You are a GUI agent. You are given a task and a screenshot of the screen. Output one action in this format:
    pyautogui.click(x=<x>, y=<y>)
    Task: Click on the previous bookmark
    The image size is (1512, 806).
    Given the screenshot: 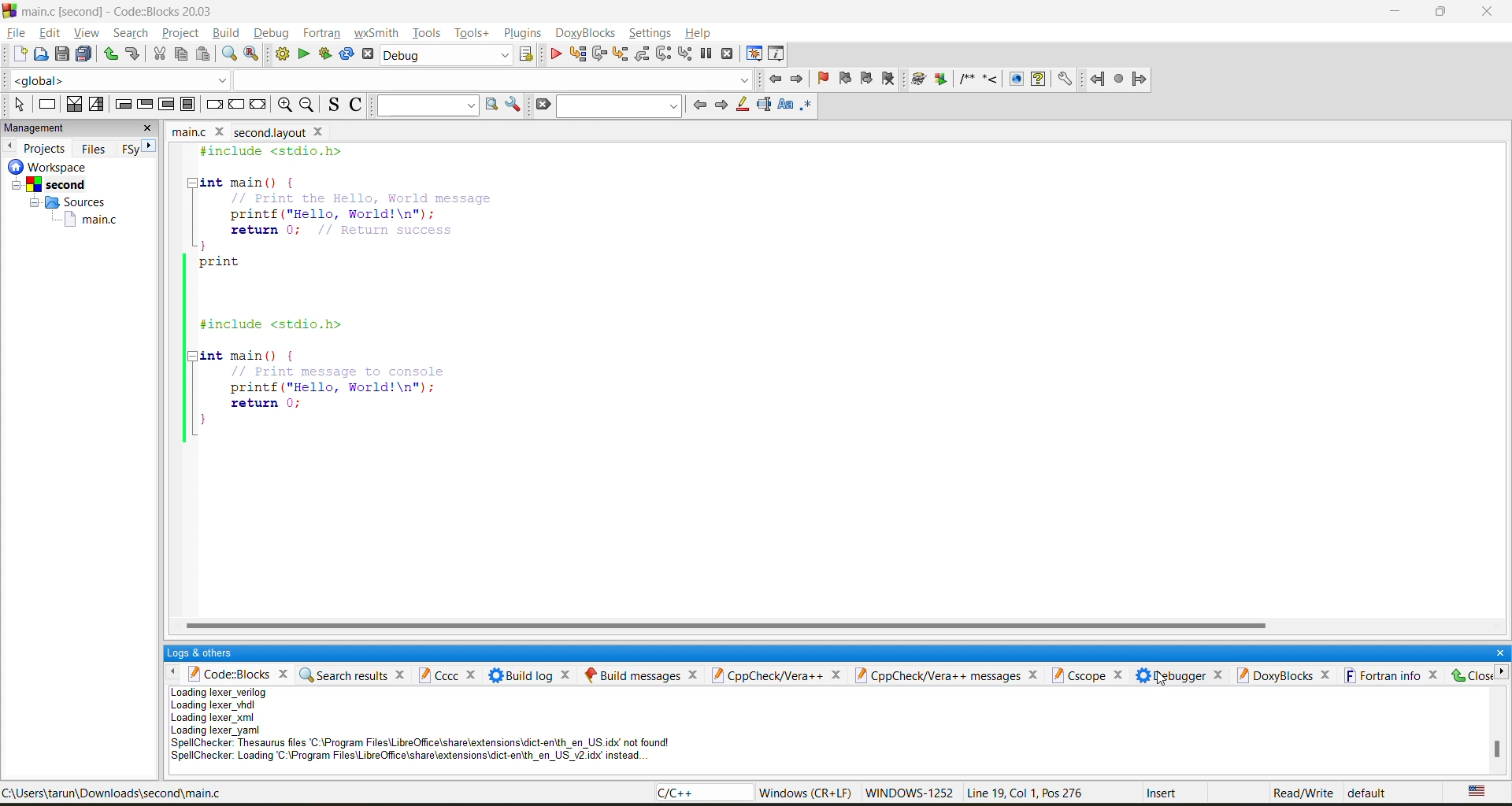 What is the action you would take?
    pyautogui.click(x=847, y=77)
    